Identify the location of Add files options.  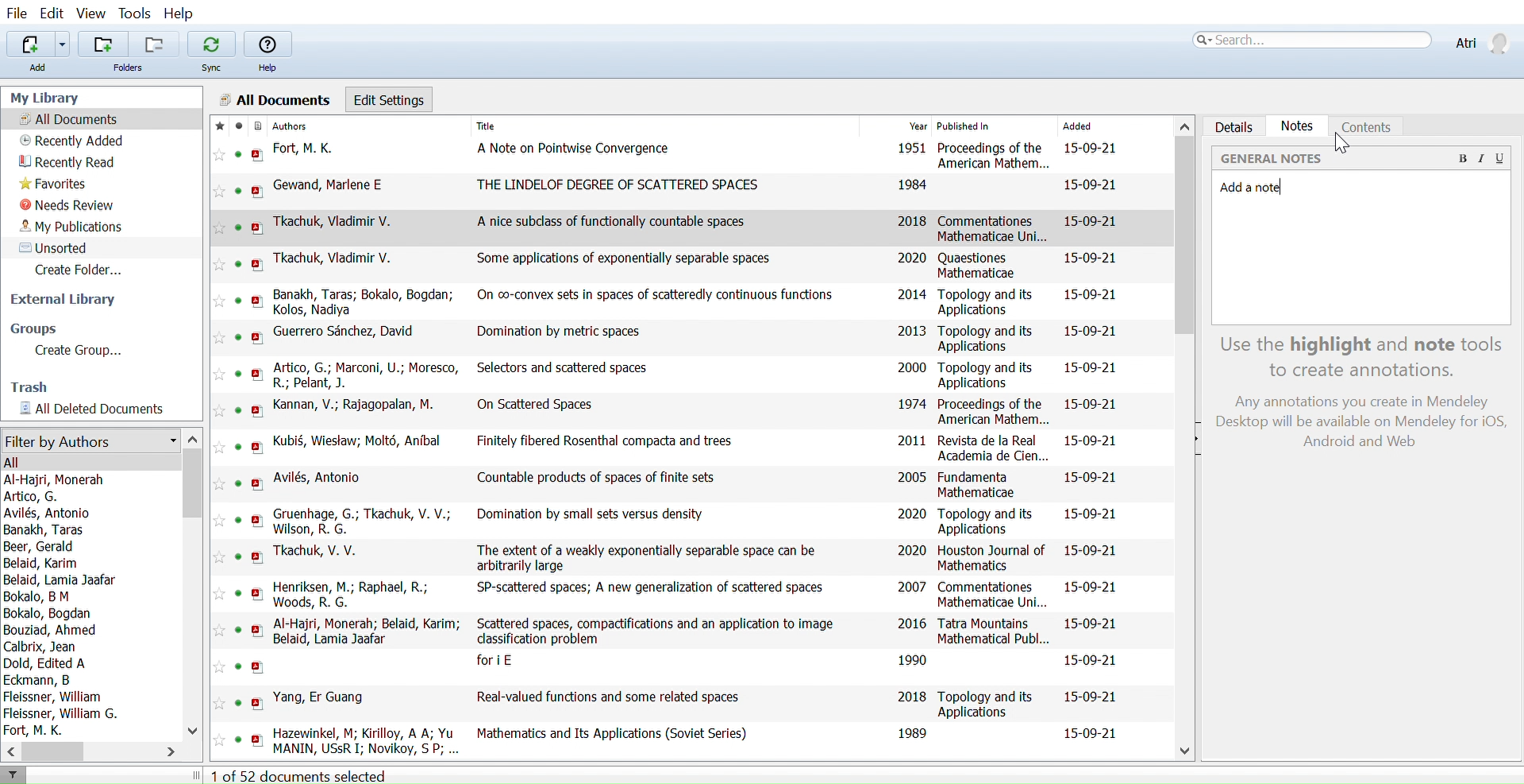
(65, 44).